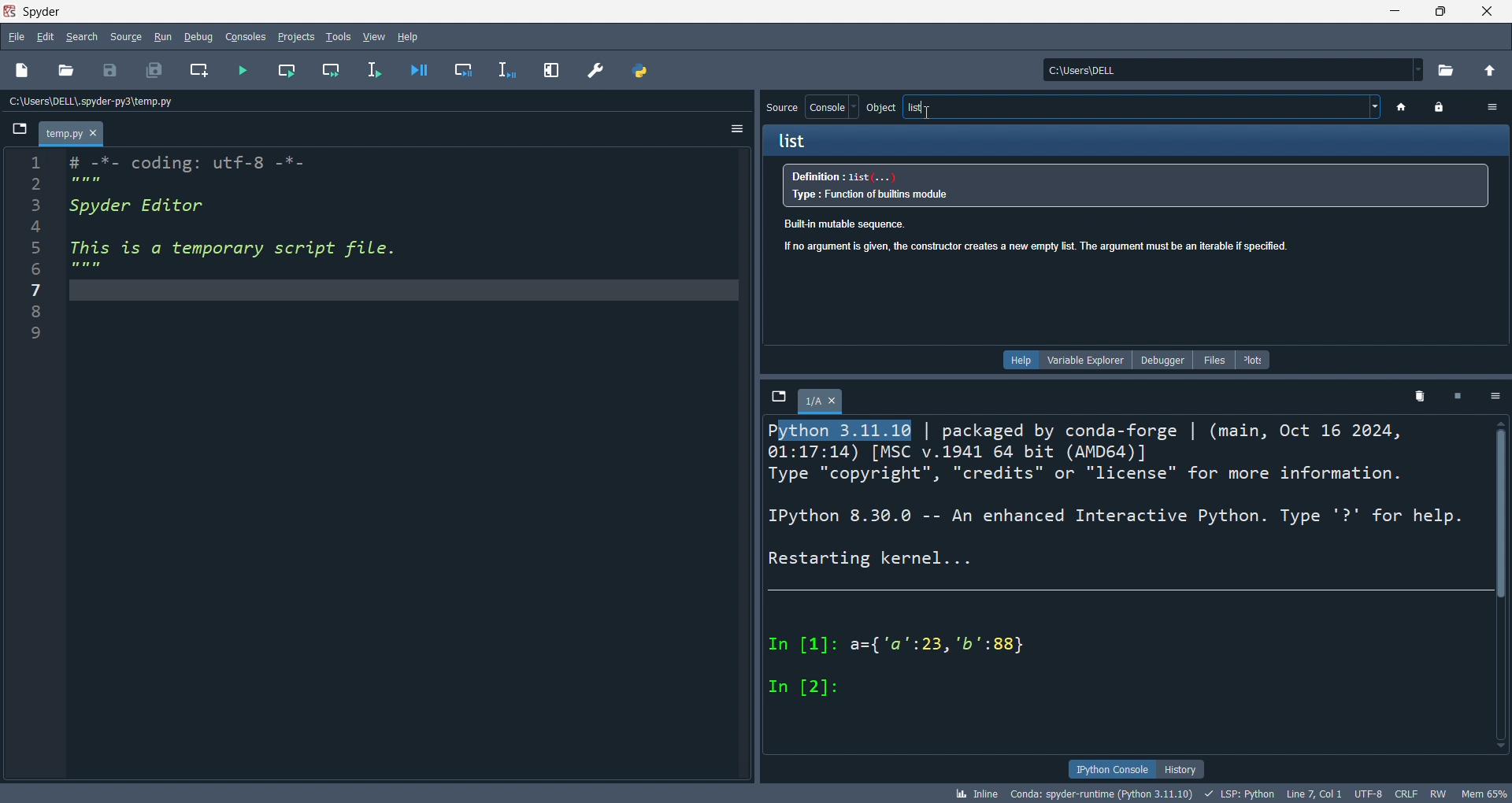 The width and height of the screenshot is (1512, 803). Describe the element at coordinates (1158, 361) in the screenshot. I see `debugger` at that location.